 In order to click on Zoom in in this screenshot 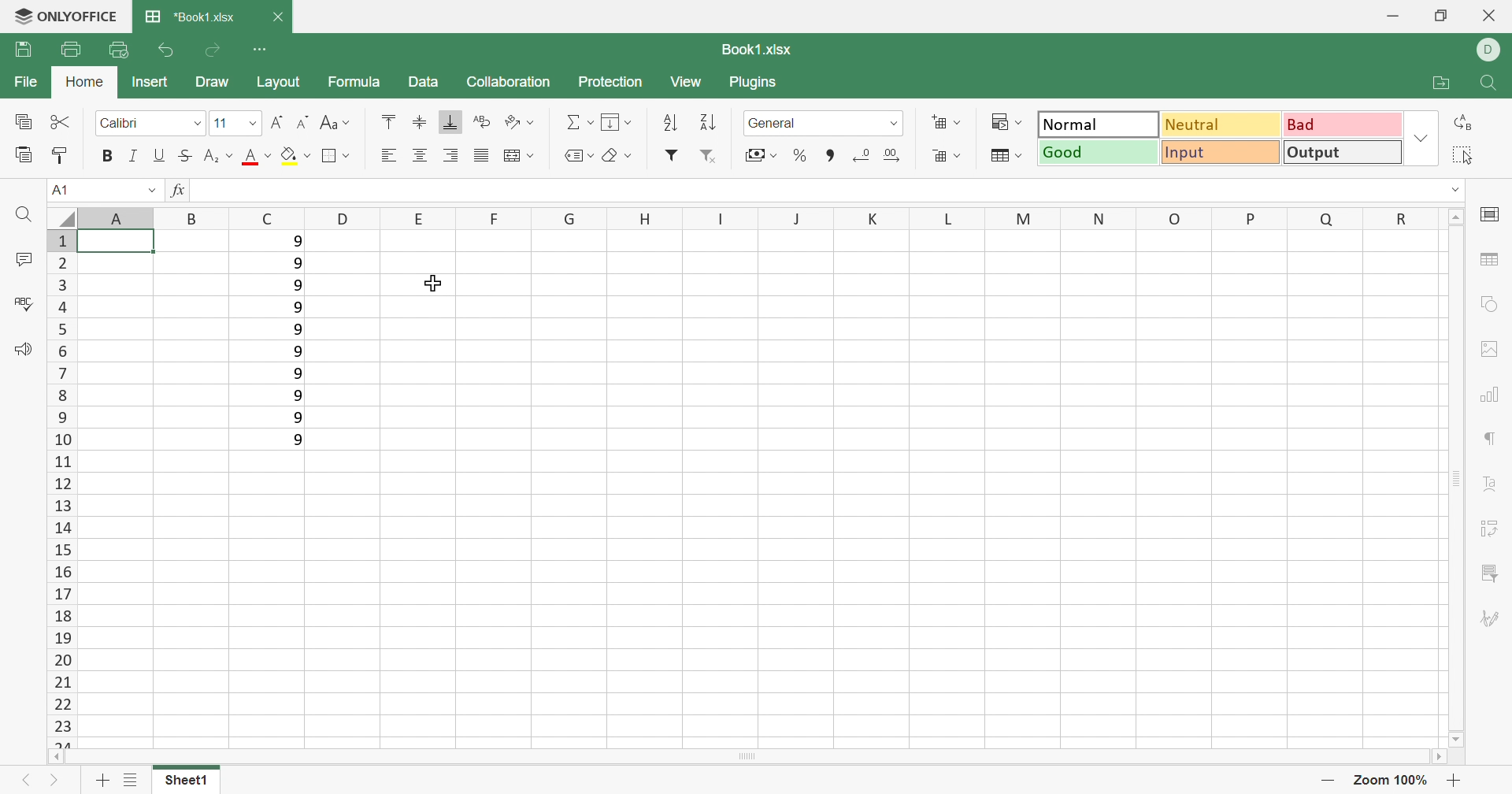, I will do `click(1455, 781)`.